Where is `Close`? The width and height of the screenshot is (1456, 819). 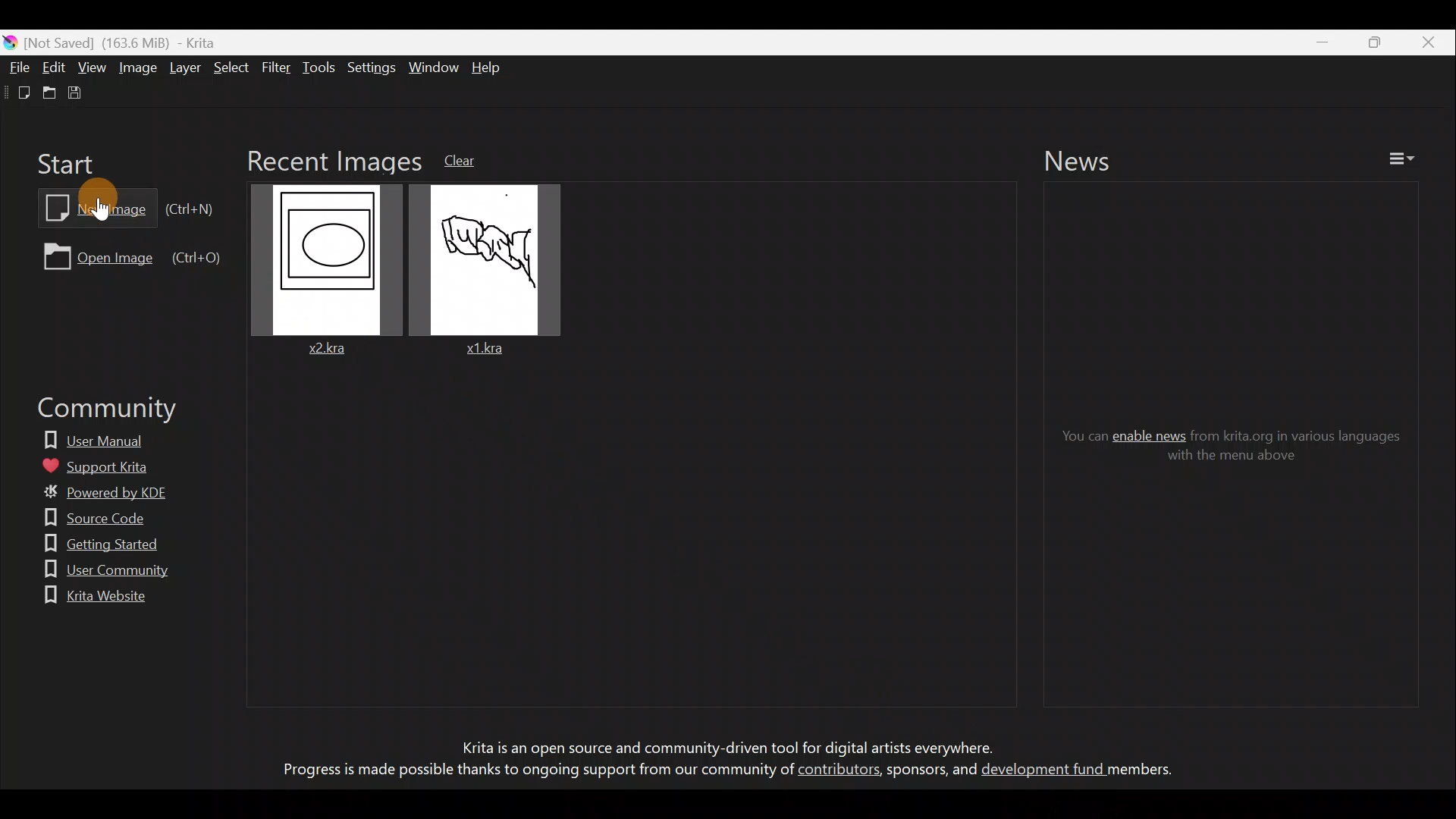
Close is located at coordinates (1428, 42).